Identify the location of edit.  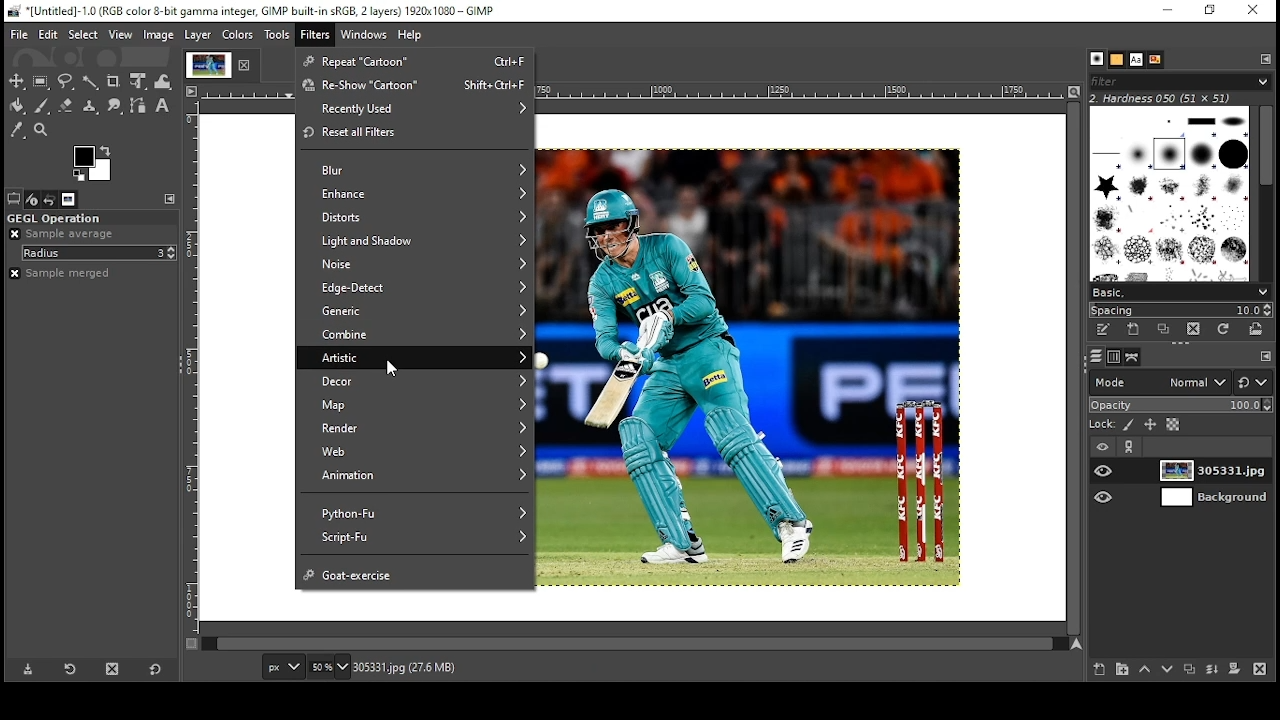
(50, 35).